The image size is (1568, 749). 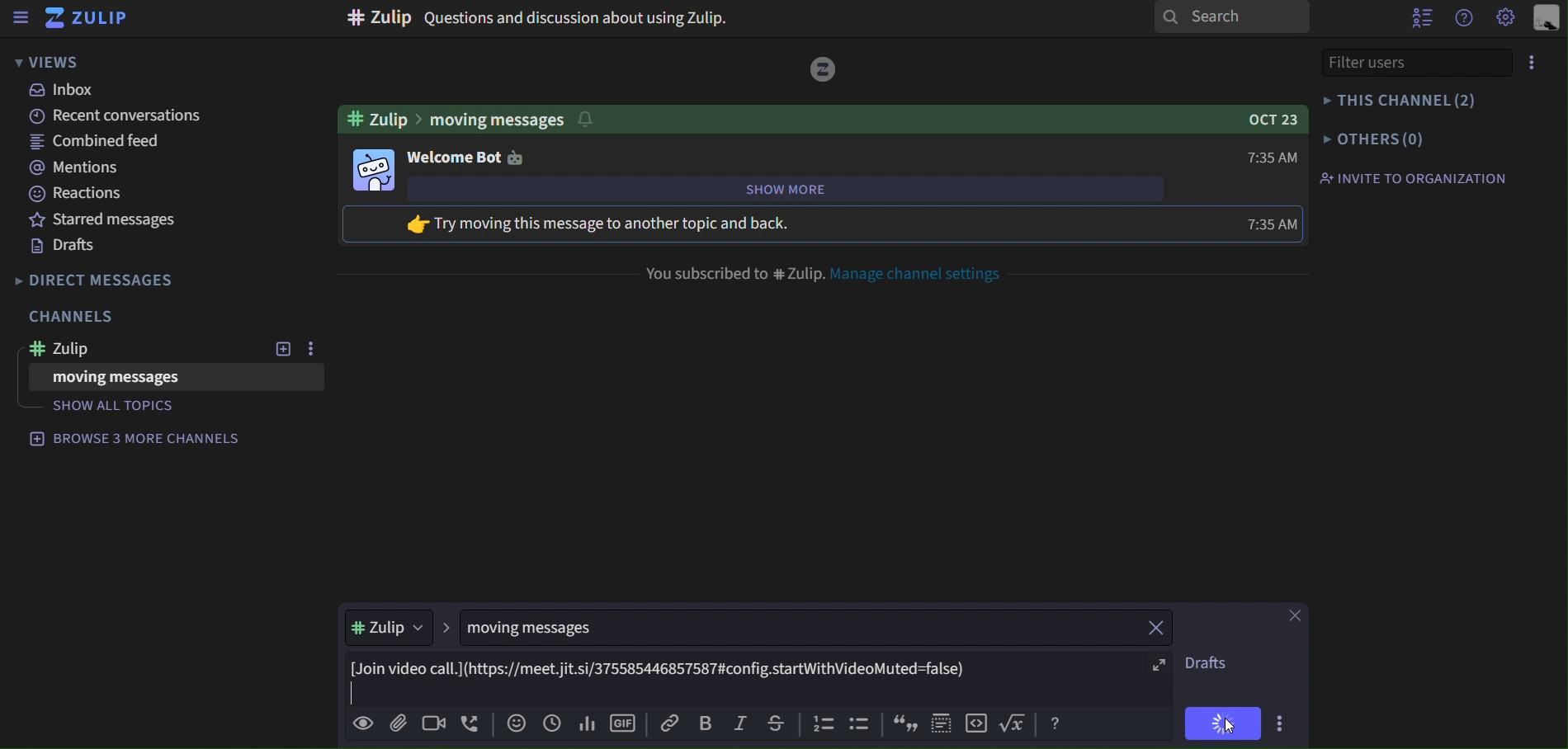 What do you see at coordinates (631, 224) in the screenshot?
I see `try moving message to another topic and back` at bounding box center [631, 224].